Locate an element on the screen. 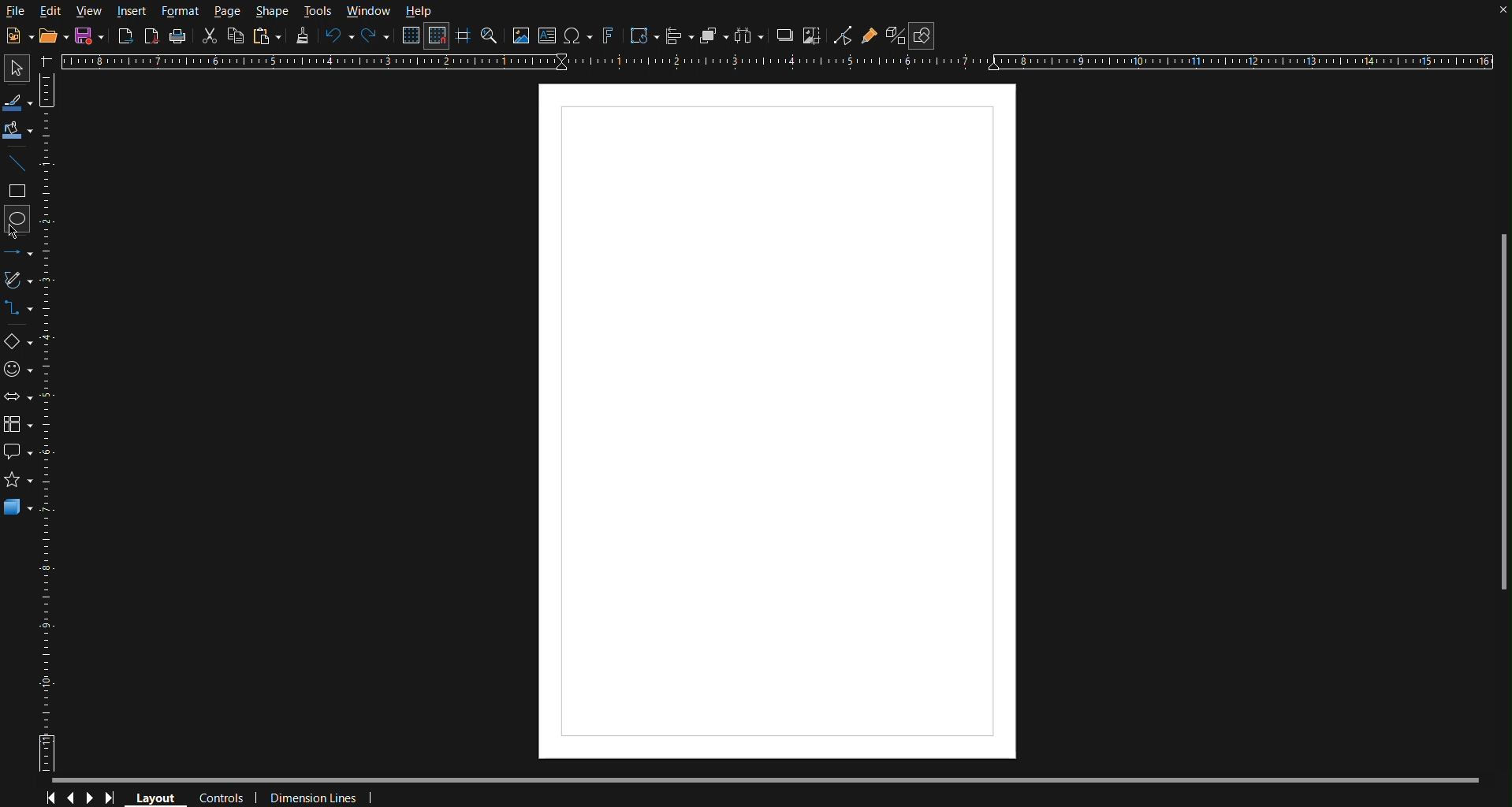  View is located at coordinates (88, 11).